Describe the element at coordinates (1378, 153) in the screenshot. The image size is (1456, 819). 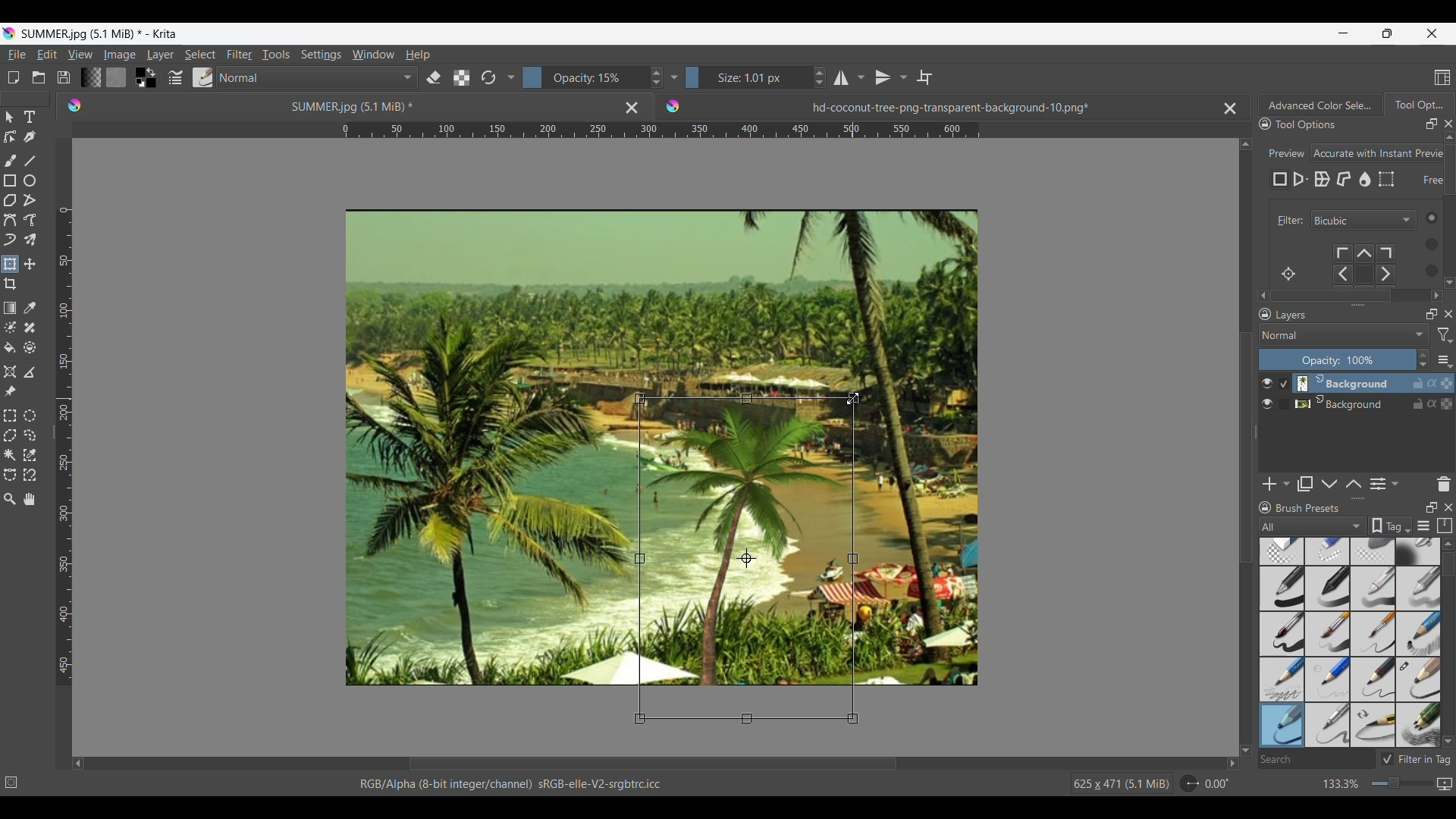
I see `Preview options` at that location.